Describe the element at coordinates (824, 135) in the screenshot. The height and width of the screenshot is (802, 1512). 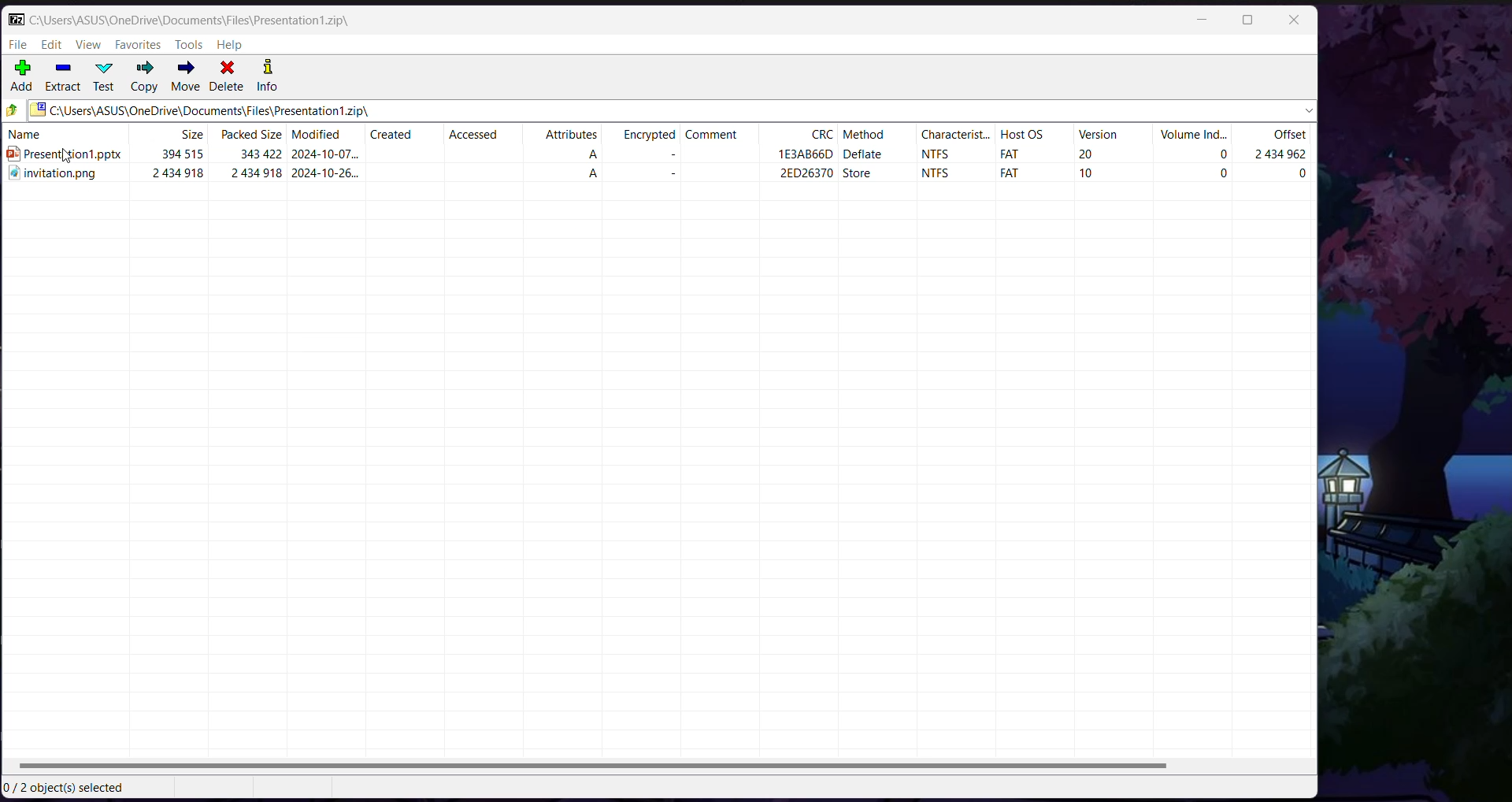
I see `CRC ` at that location.